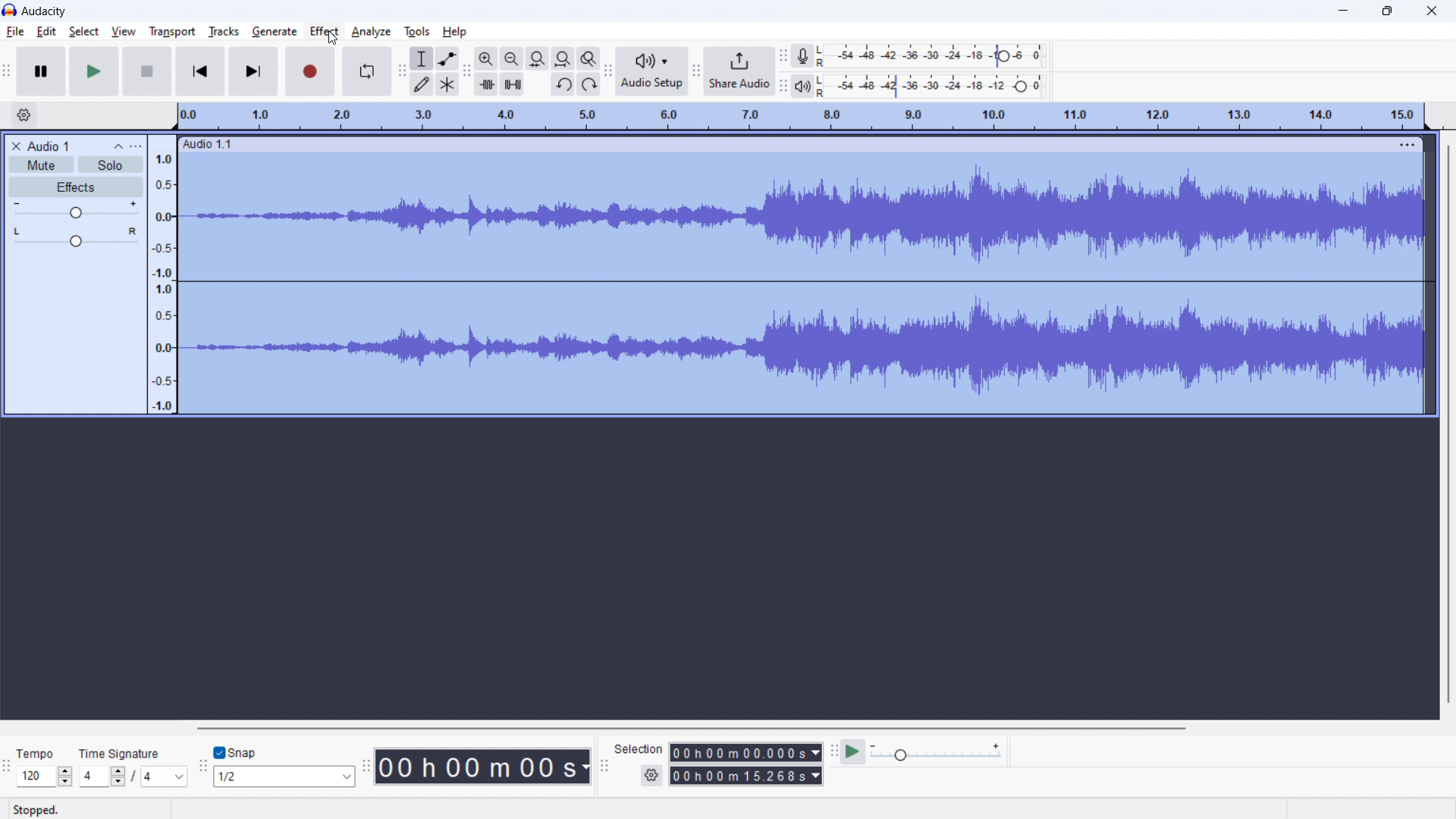 The image size is (1456, 819). What do you see at coordinates (487, 84) in the screenshot?
I see `trim audio outside selection` at bounding box center [487, 84].